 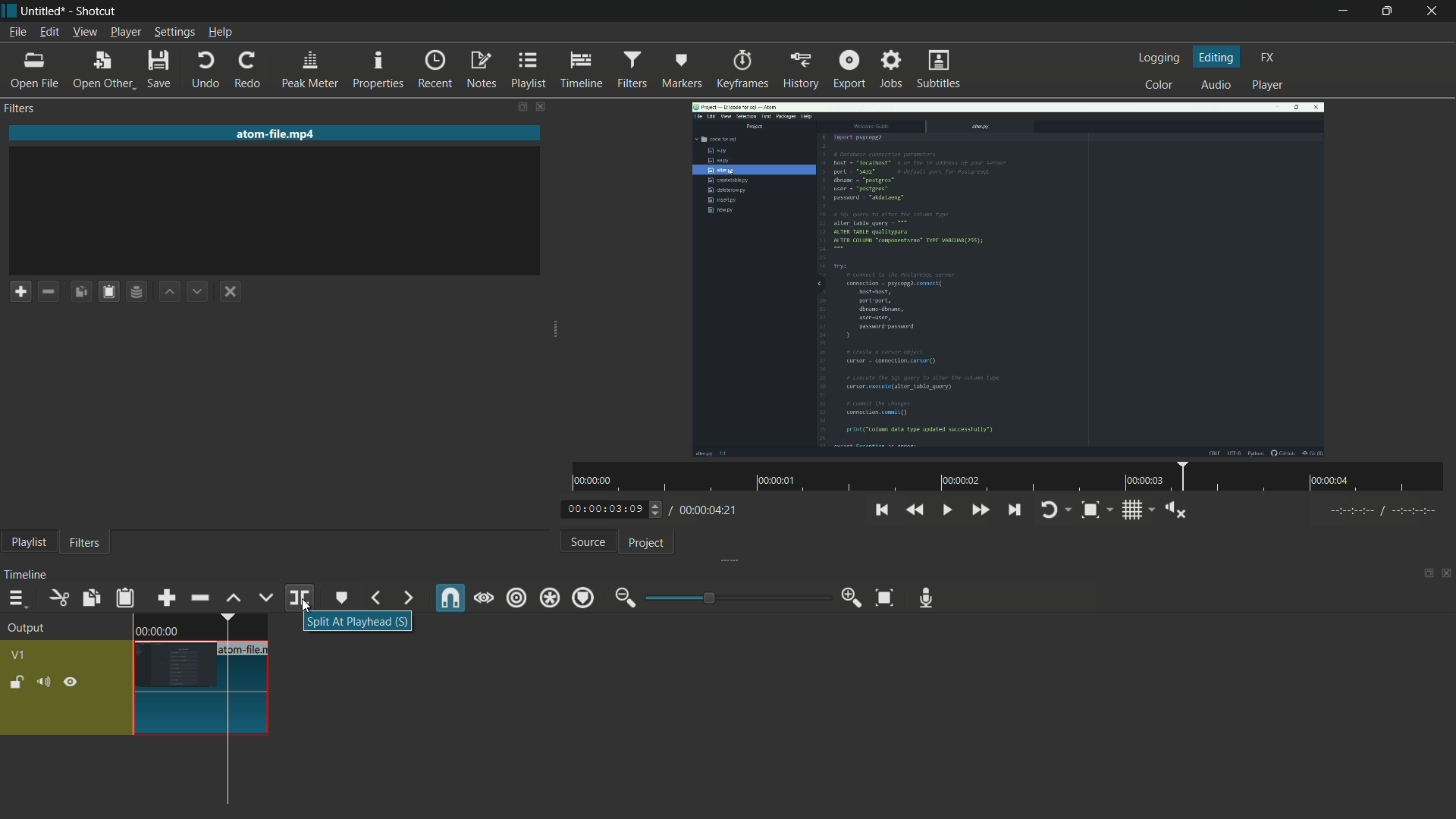 I want to click on keyframes, so click(x=742, y=71).